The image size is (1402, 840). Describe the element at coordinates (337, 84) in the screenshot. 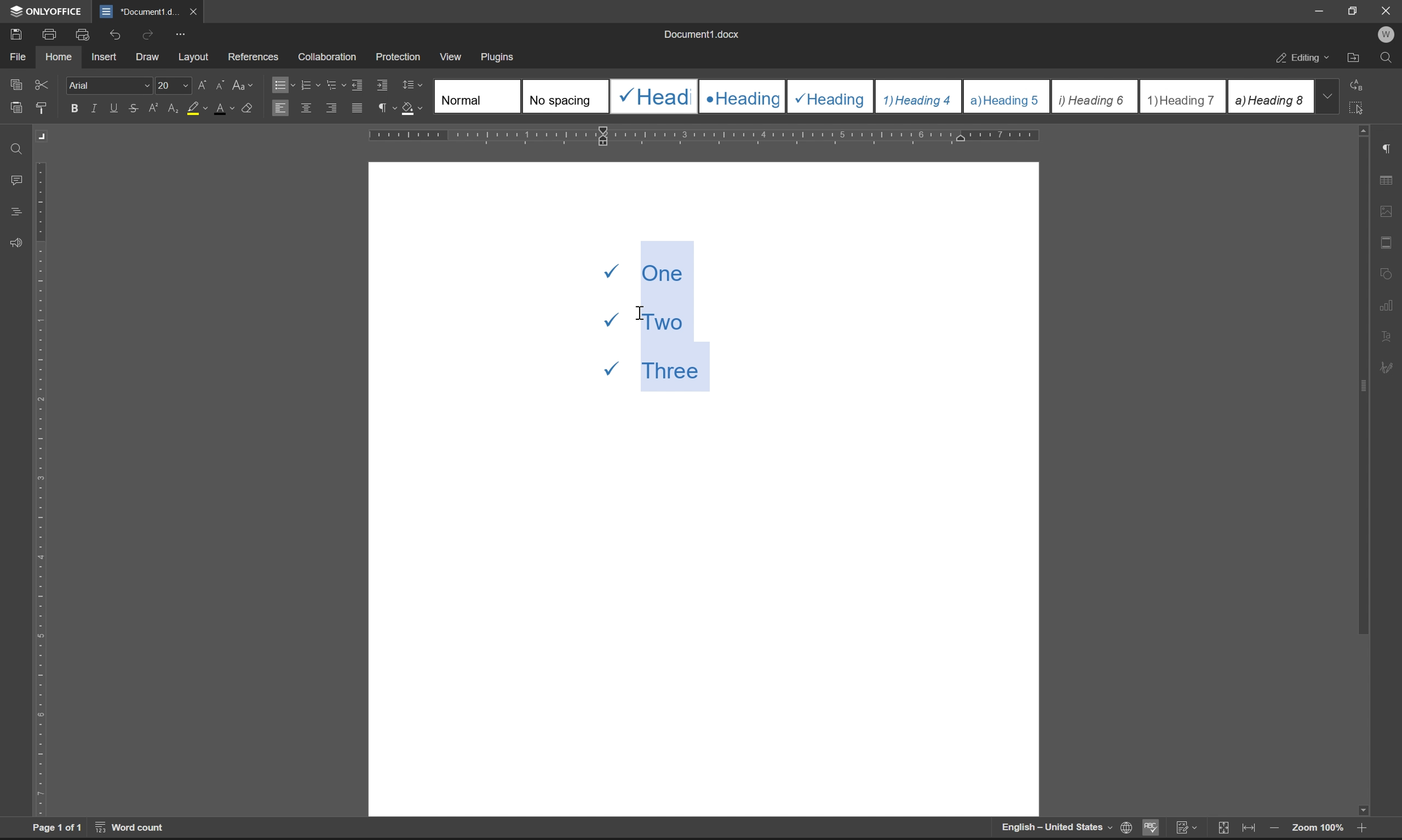

I see `multilevel list` at that location.